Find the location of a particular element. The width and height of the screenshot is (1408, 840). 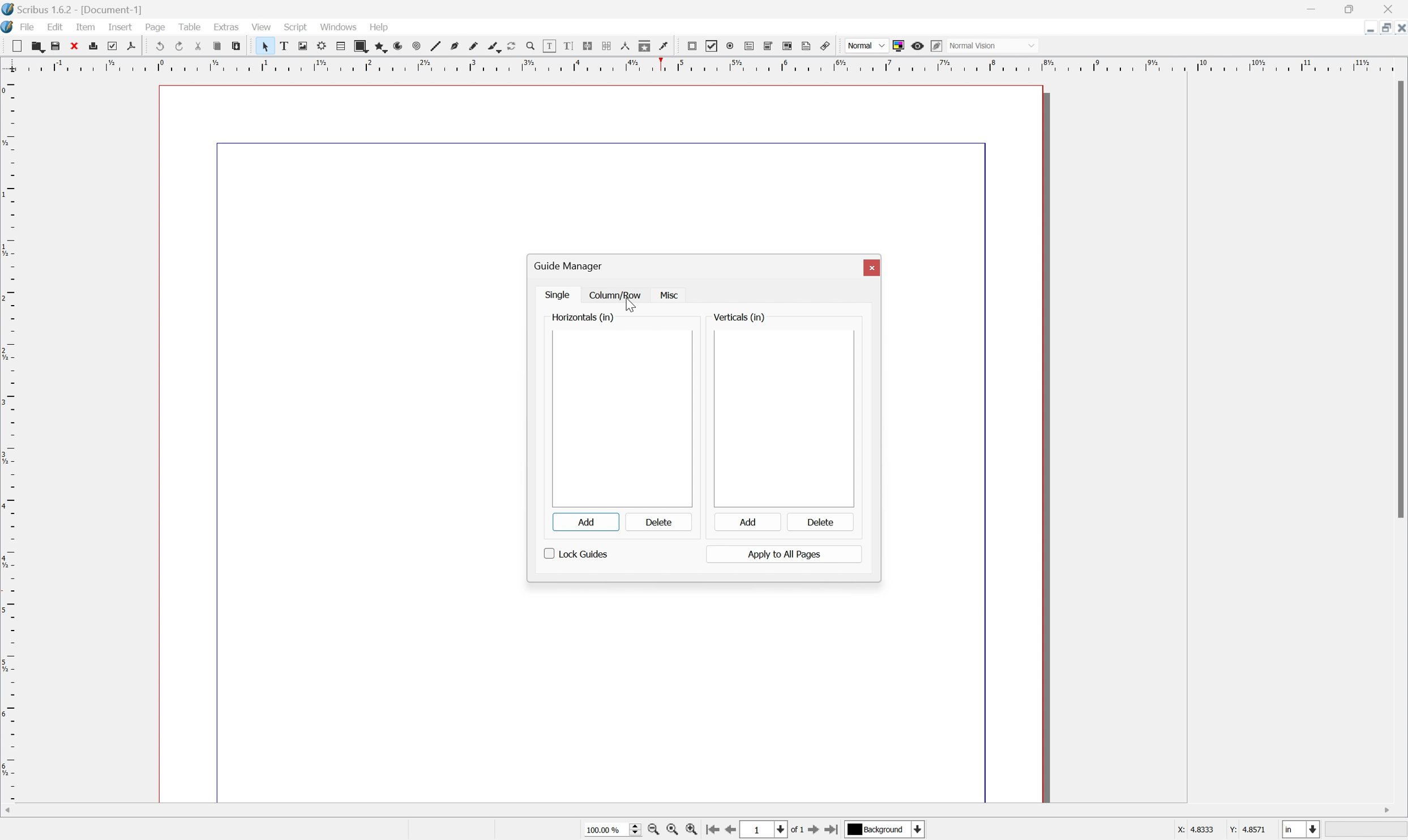

scroll bar is located at coordinates (700, 811).